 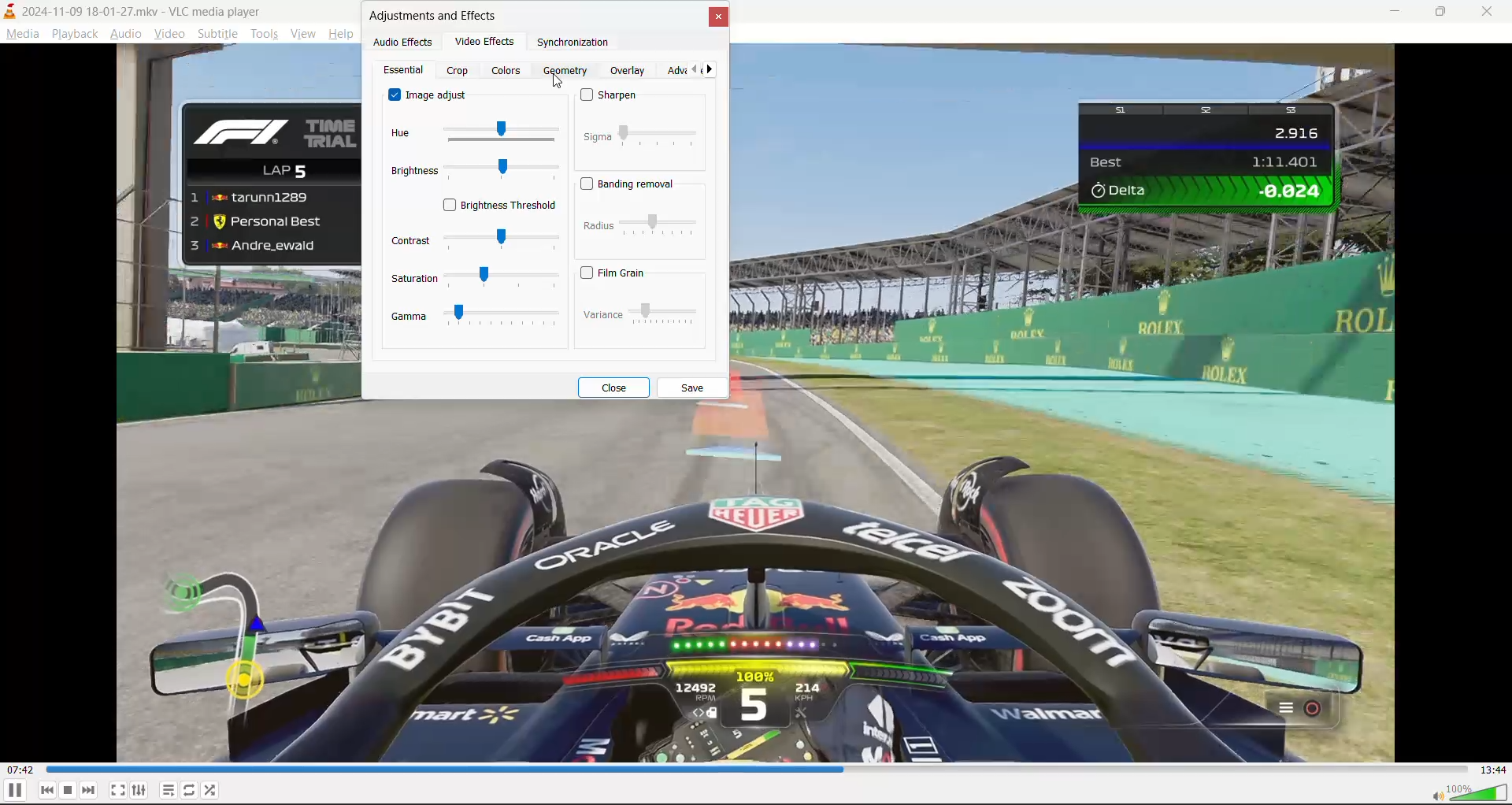 I want to click on sigma, so click(x=642, y=135).